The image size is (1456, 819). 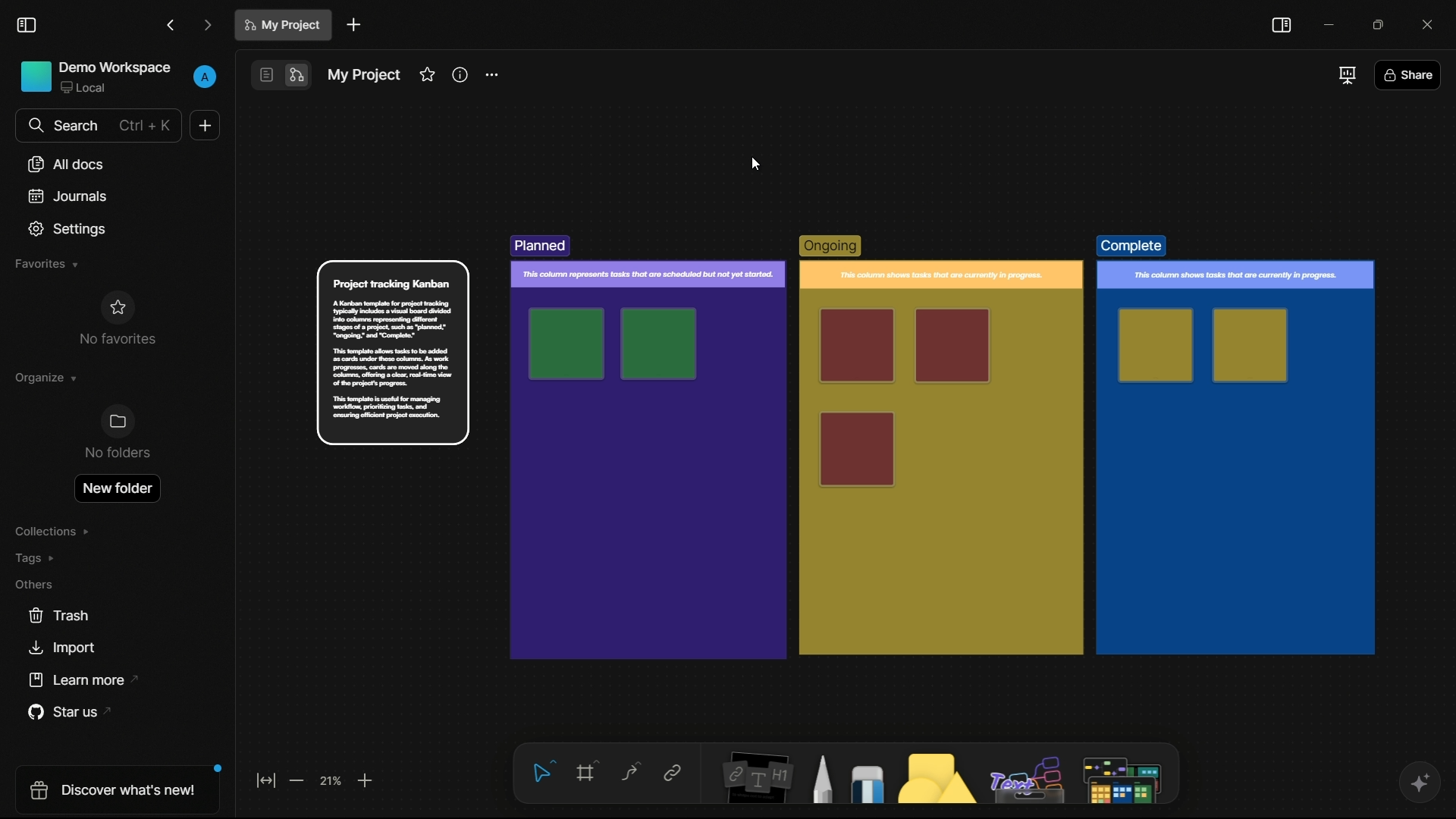 What do you see at coordinates (45, 264) in the screenshot?
I see `favorites` at bounding box center [45, 264].